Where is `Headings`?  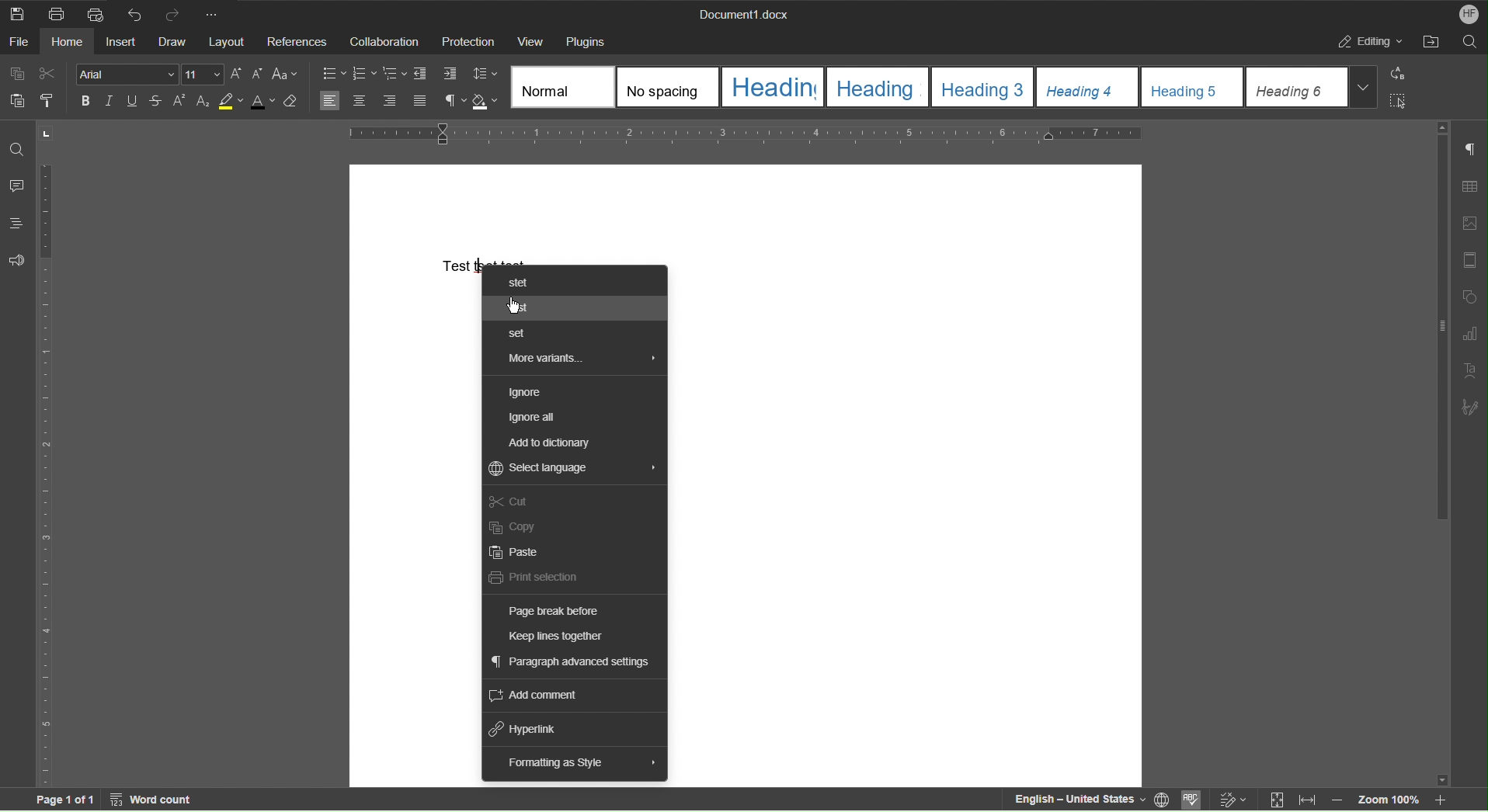 Headings is located at coordinates (16, 224).